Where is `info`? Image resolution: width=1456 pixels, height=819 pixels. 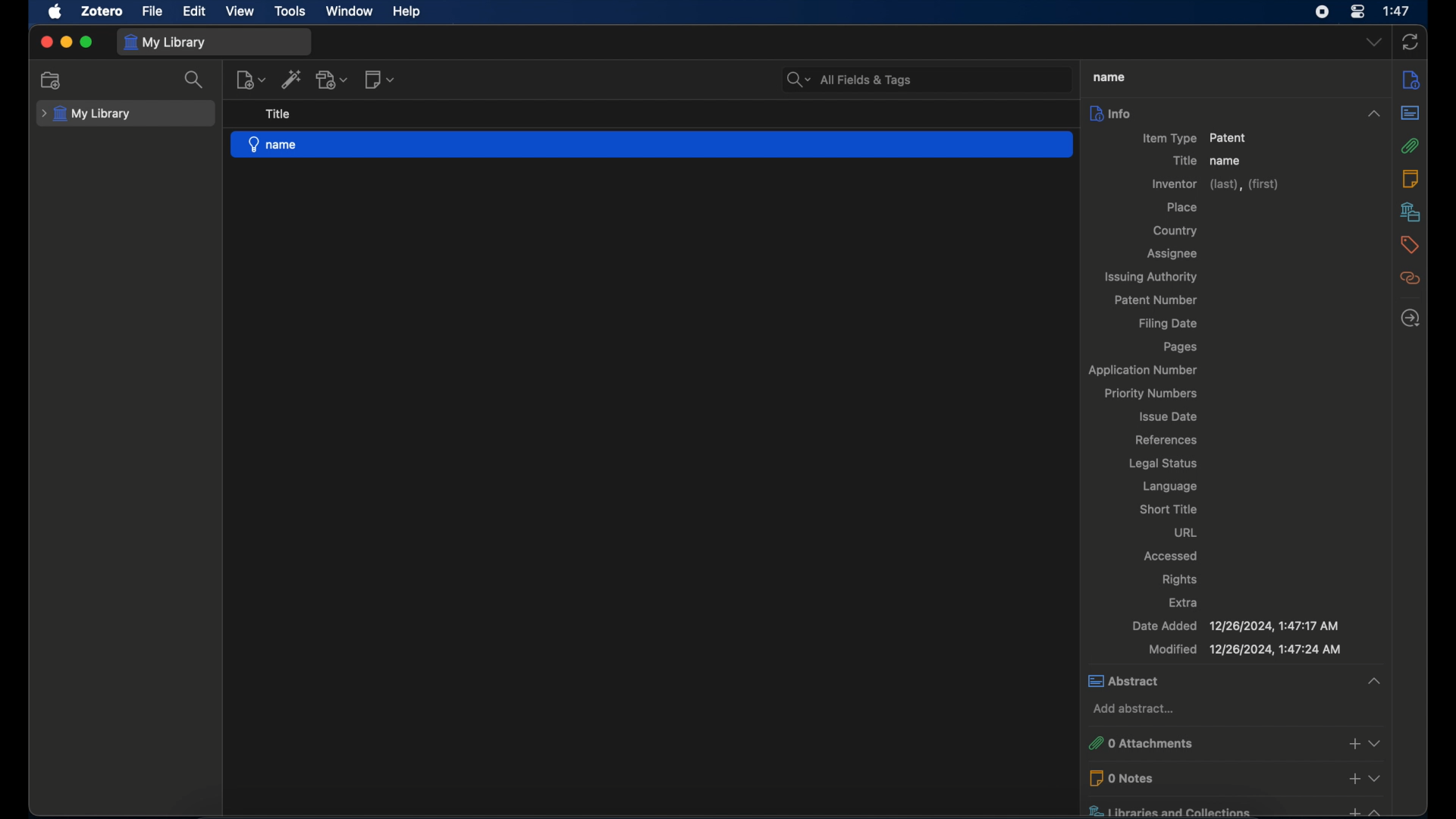 info is located at coordinates (1410, 80).